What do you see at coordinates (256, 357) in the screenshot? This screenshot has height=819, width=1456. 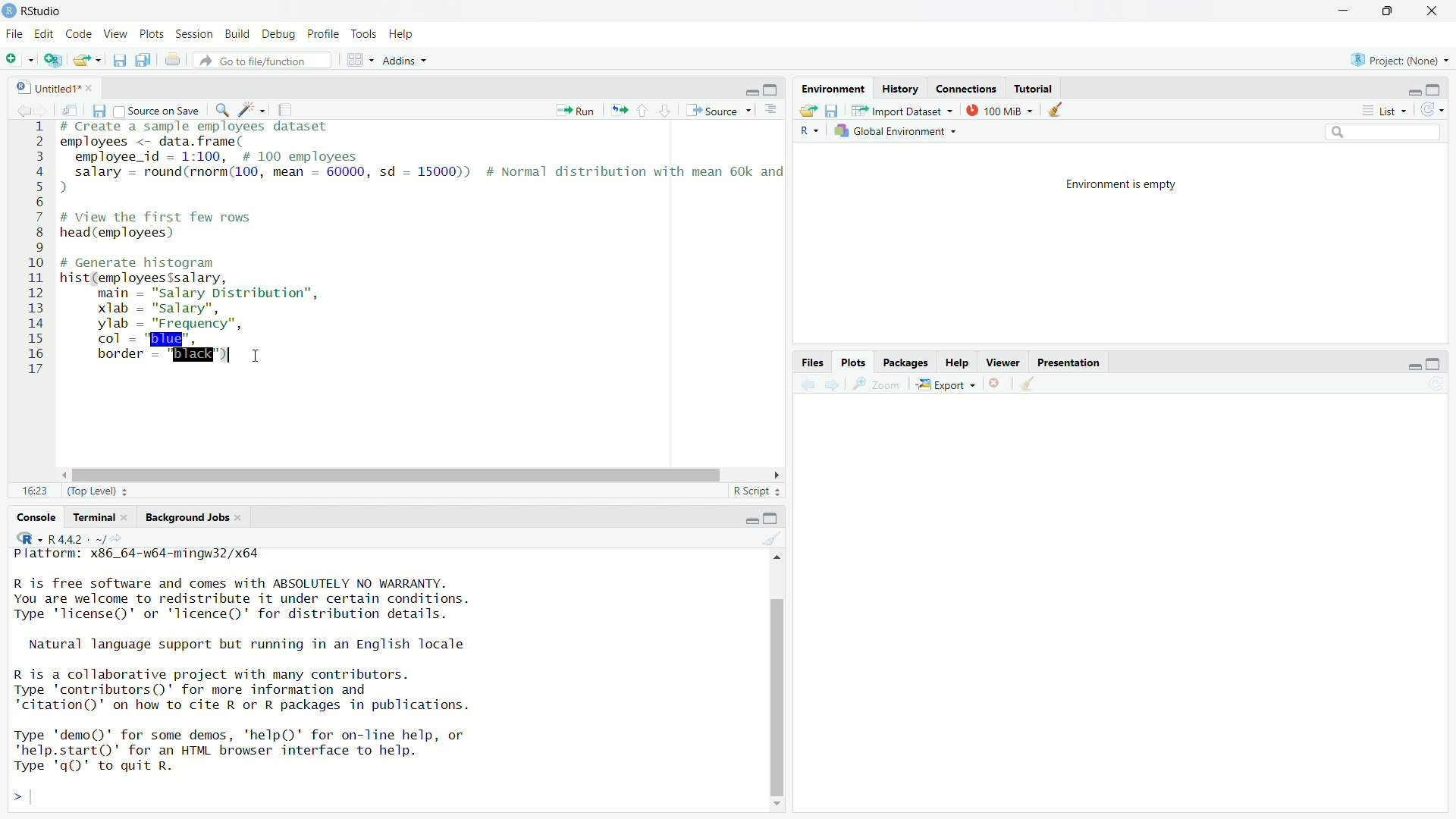 I see `cursor` at bounding box center [256, 357].